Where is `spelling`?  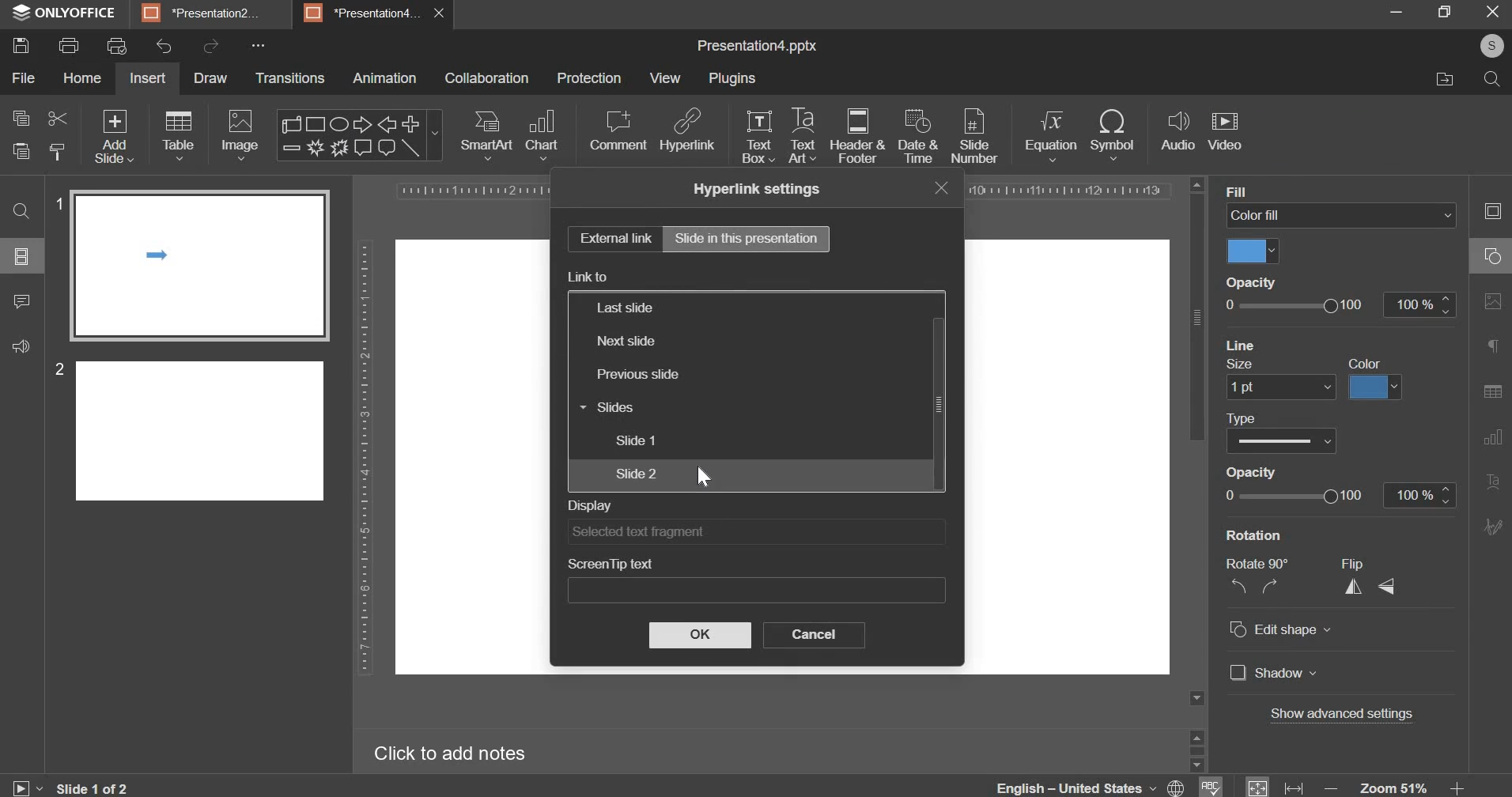 spelling is located at coordinates (1209, 780).